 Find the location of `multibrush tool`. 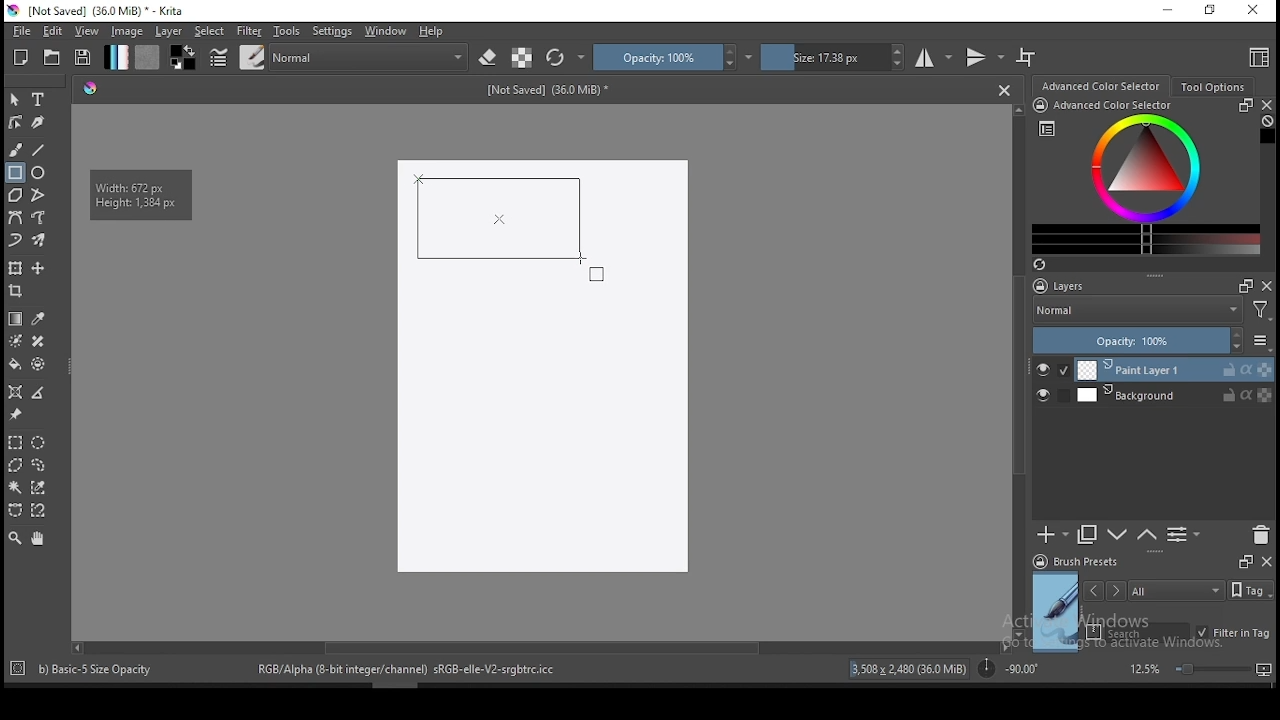

multibrush tool is located at coordinates (40, 242).